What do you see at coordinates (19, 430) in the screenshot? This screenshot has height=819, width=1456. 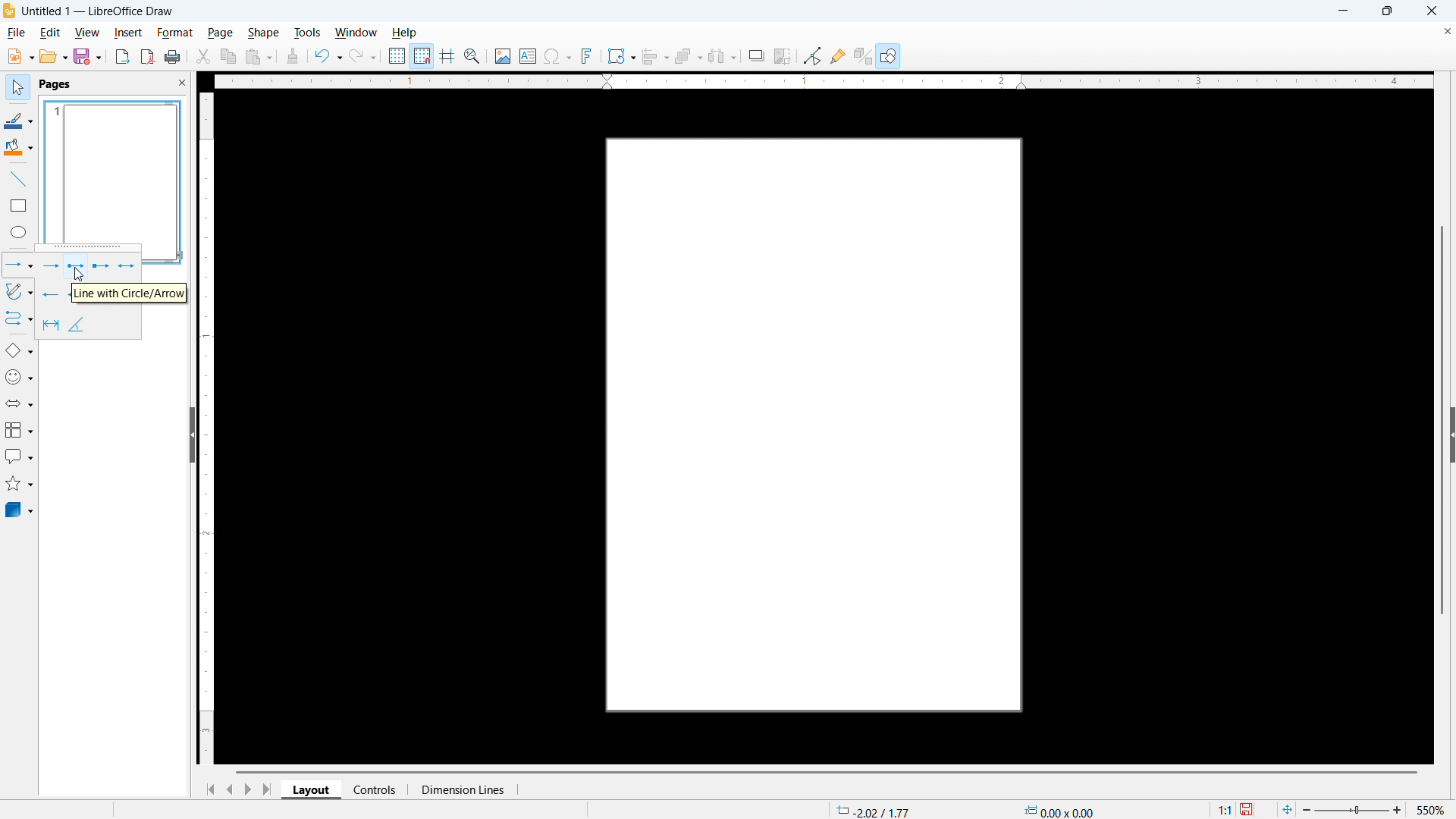 I see `Flow chart ` at bounding box center [19, 430].